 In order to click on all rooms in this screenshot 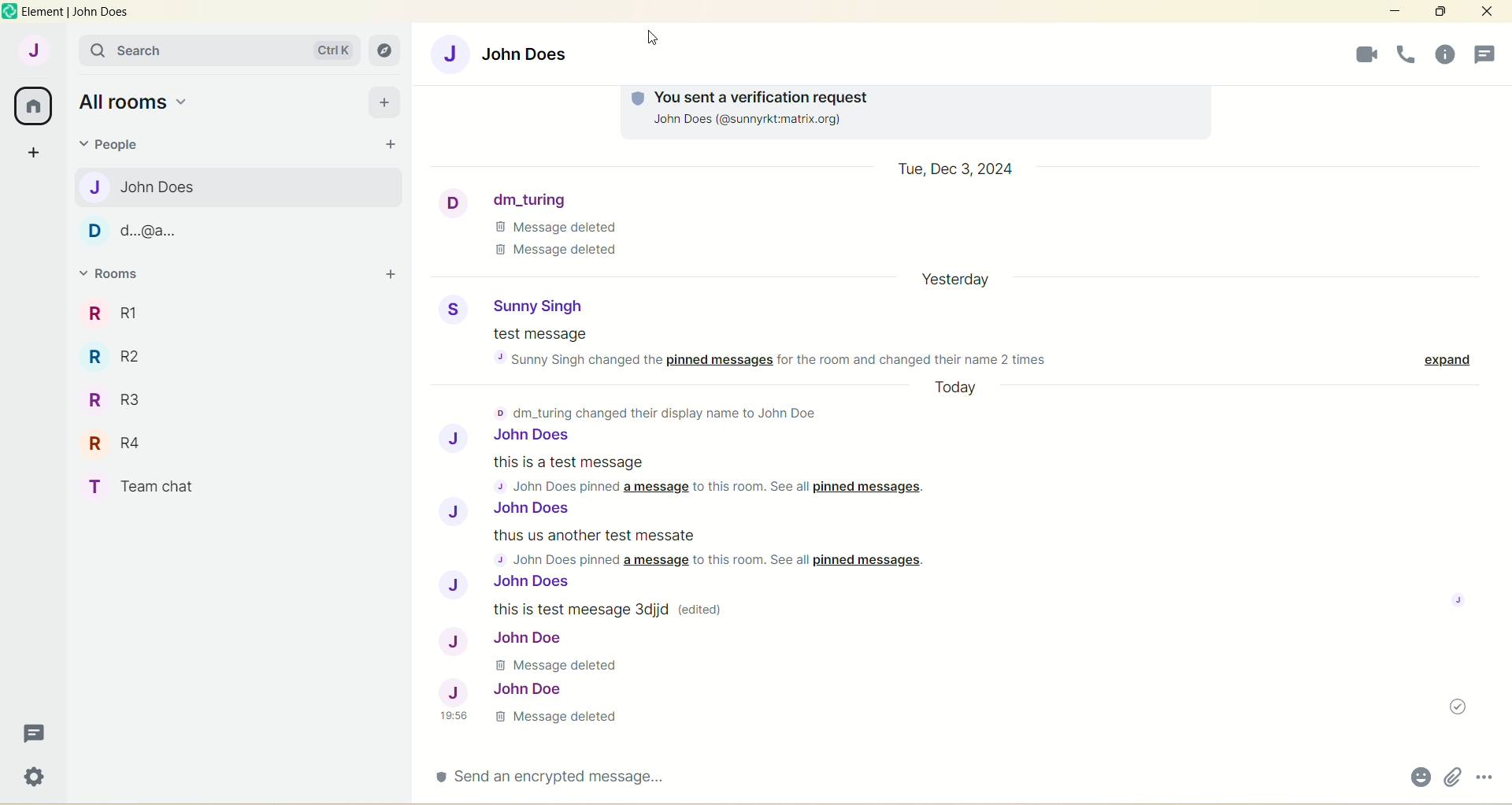, I will do `click(35, 105)`.